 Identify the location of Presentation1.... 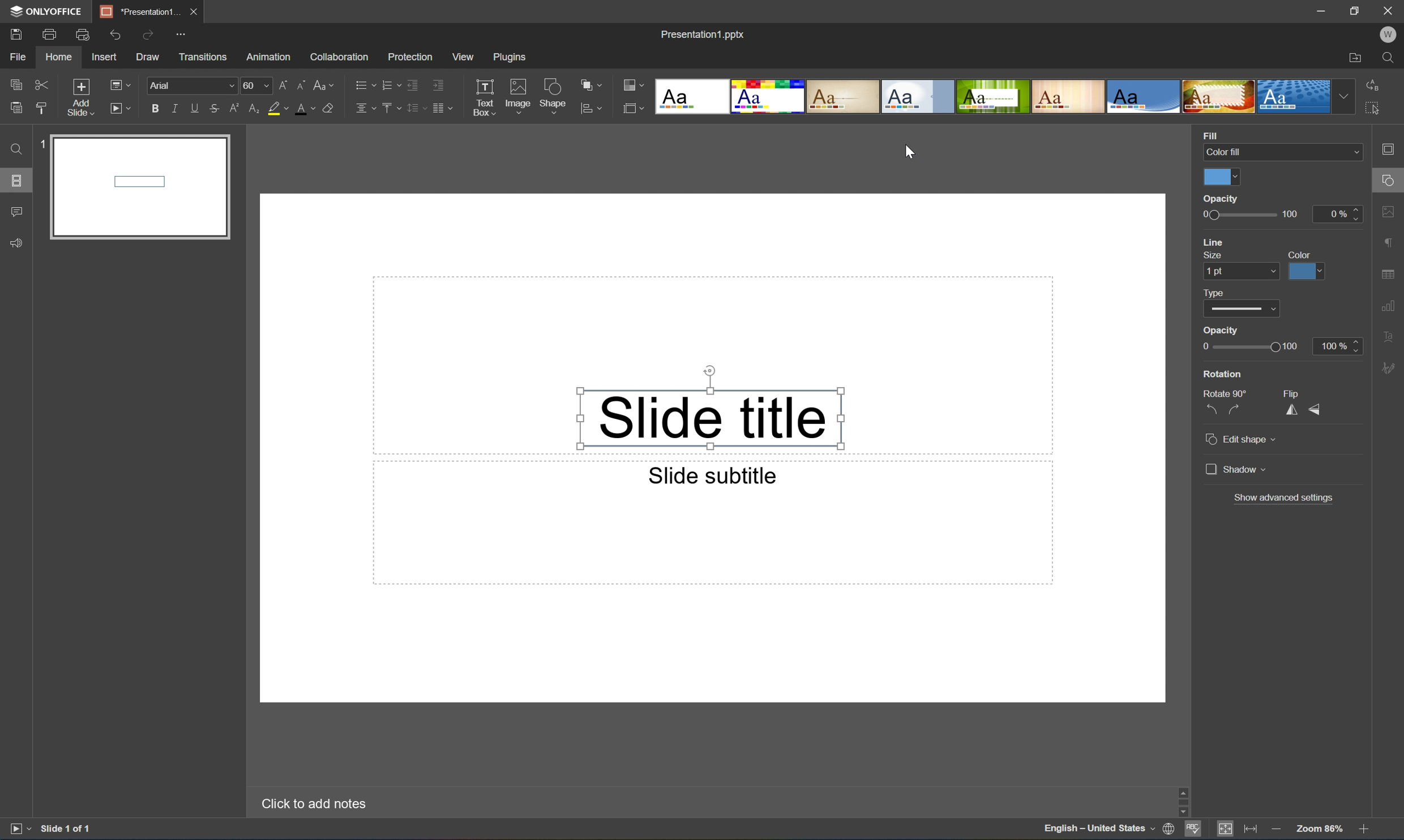
(136, 11).